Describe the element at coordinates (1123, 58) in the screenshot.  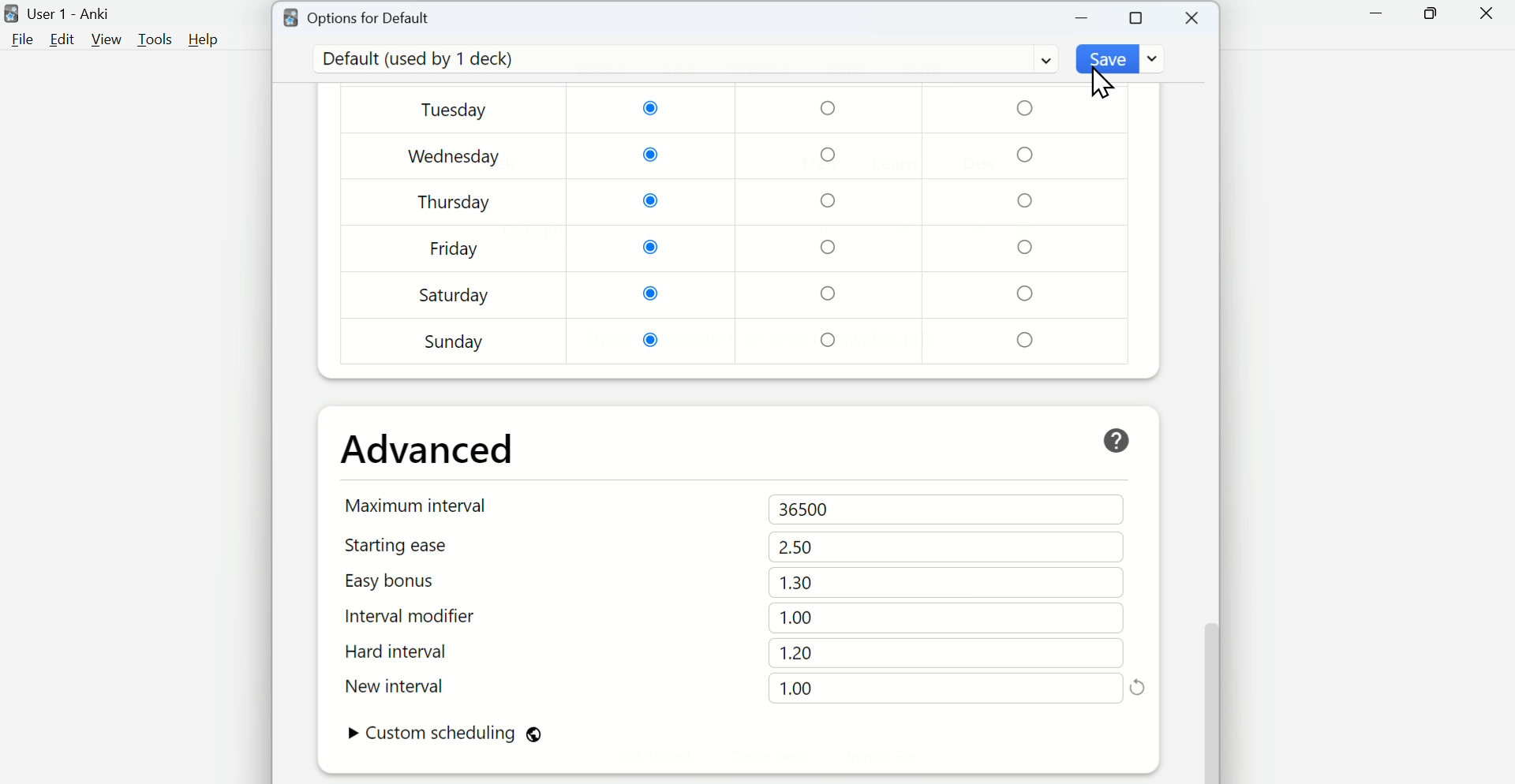
I see `Save` at that location.